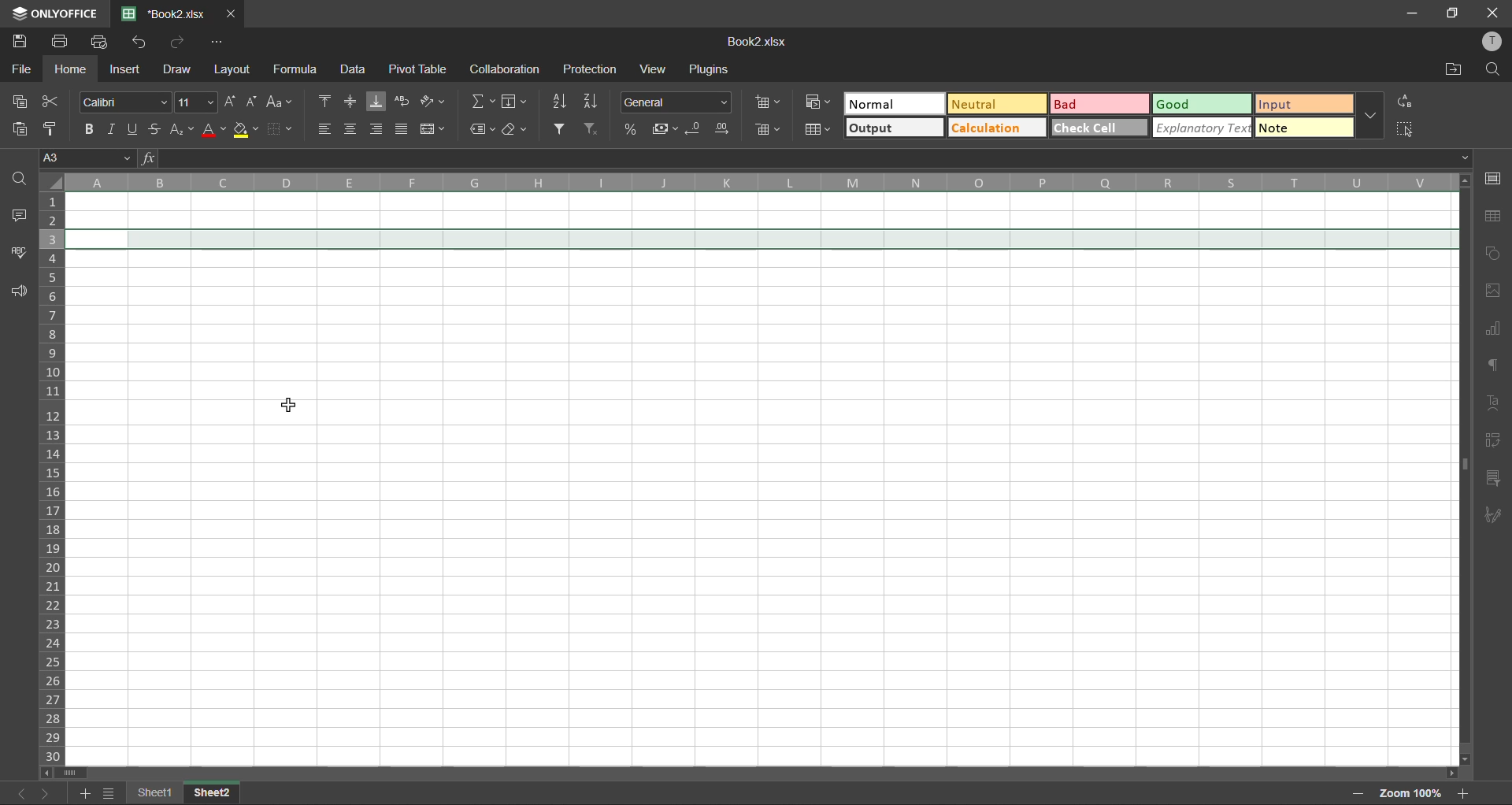  What do you see at coordinates (214, 790) in the screenshot?
I see `sheet2` at bounding box center [214, 790].